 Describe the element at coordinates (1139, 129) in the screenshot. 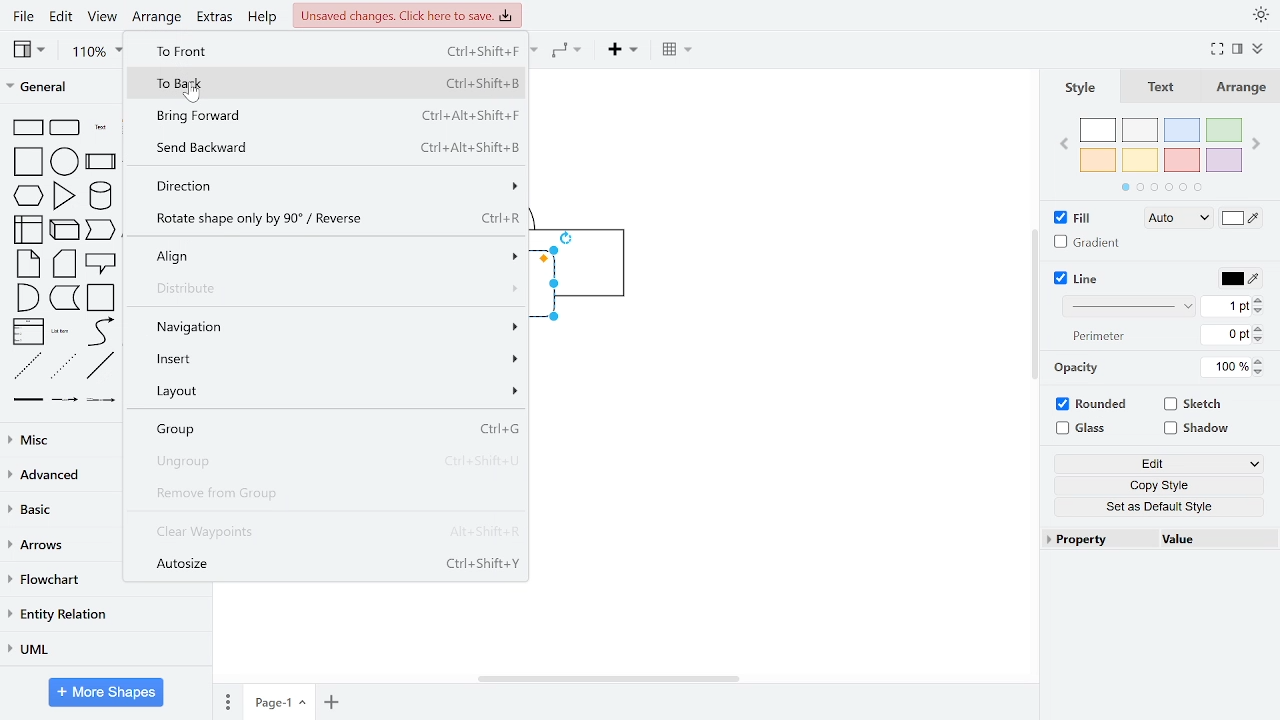

I see `ash` at that location.